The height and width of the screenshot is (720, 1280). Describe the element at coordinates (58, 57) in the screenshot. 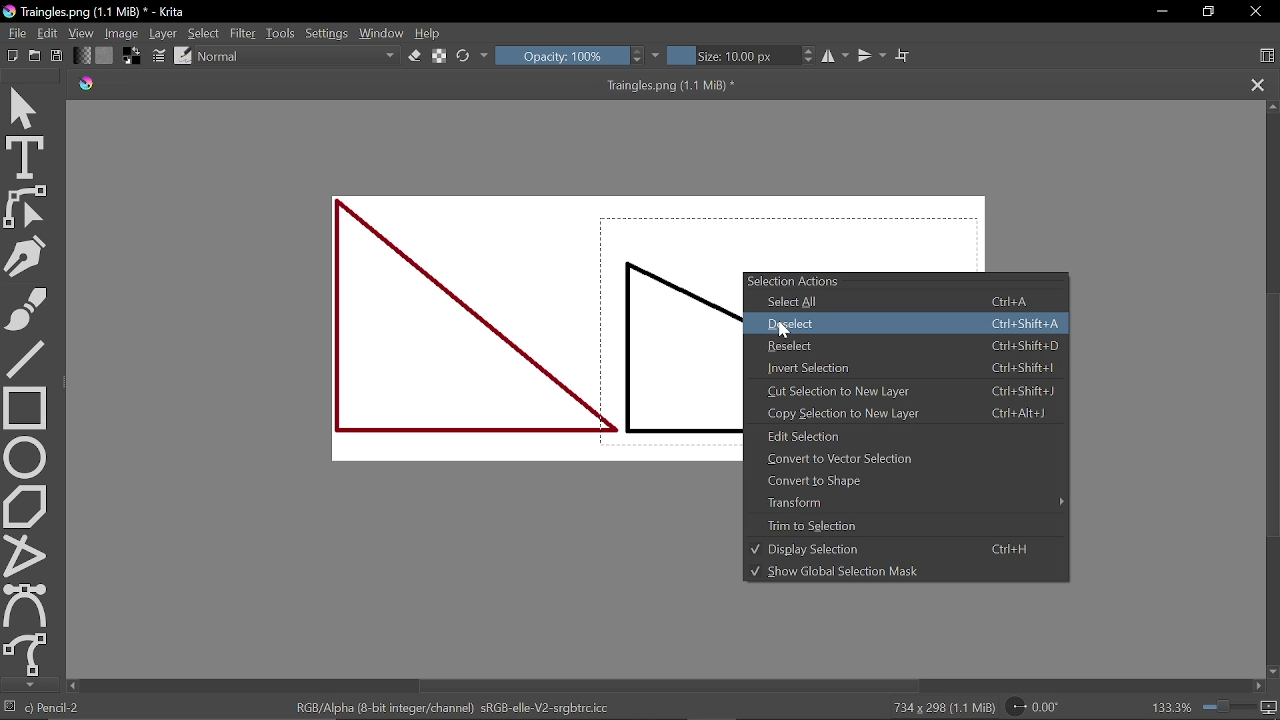

I see `Save` at that location.